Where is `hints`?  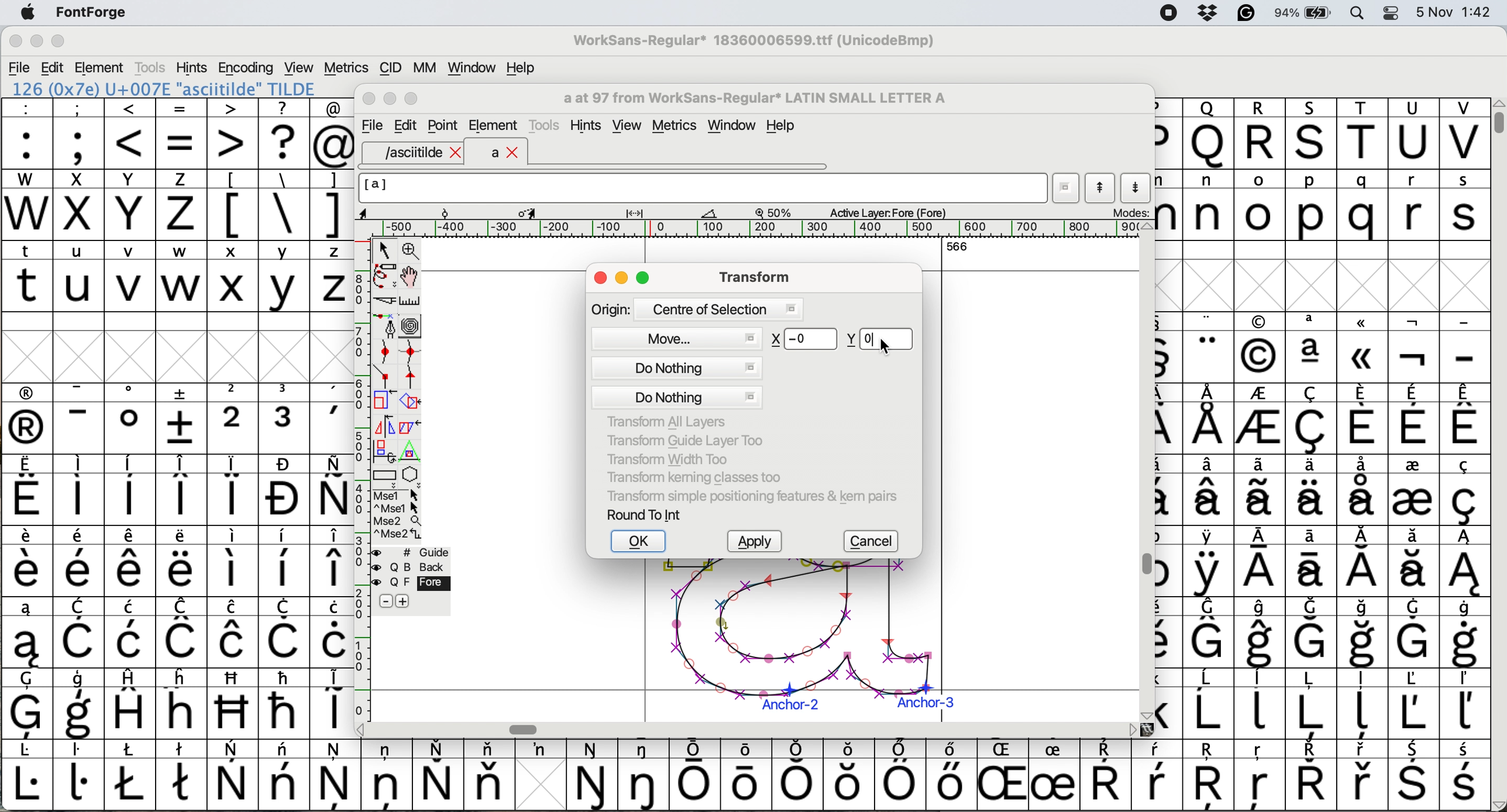
hints is located at coordinates (192, 67).